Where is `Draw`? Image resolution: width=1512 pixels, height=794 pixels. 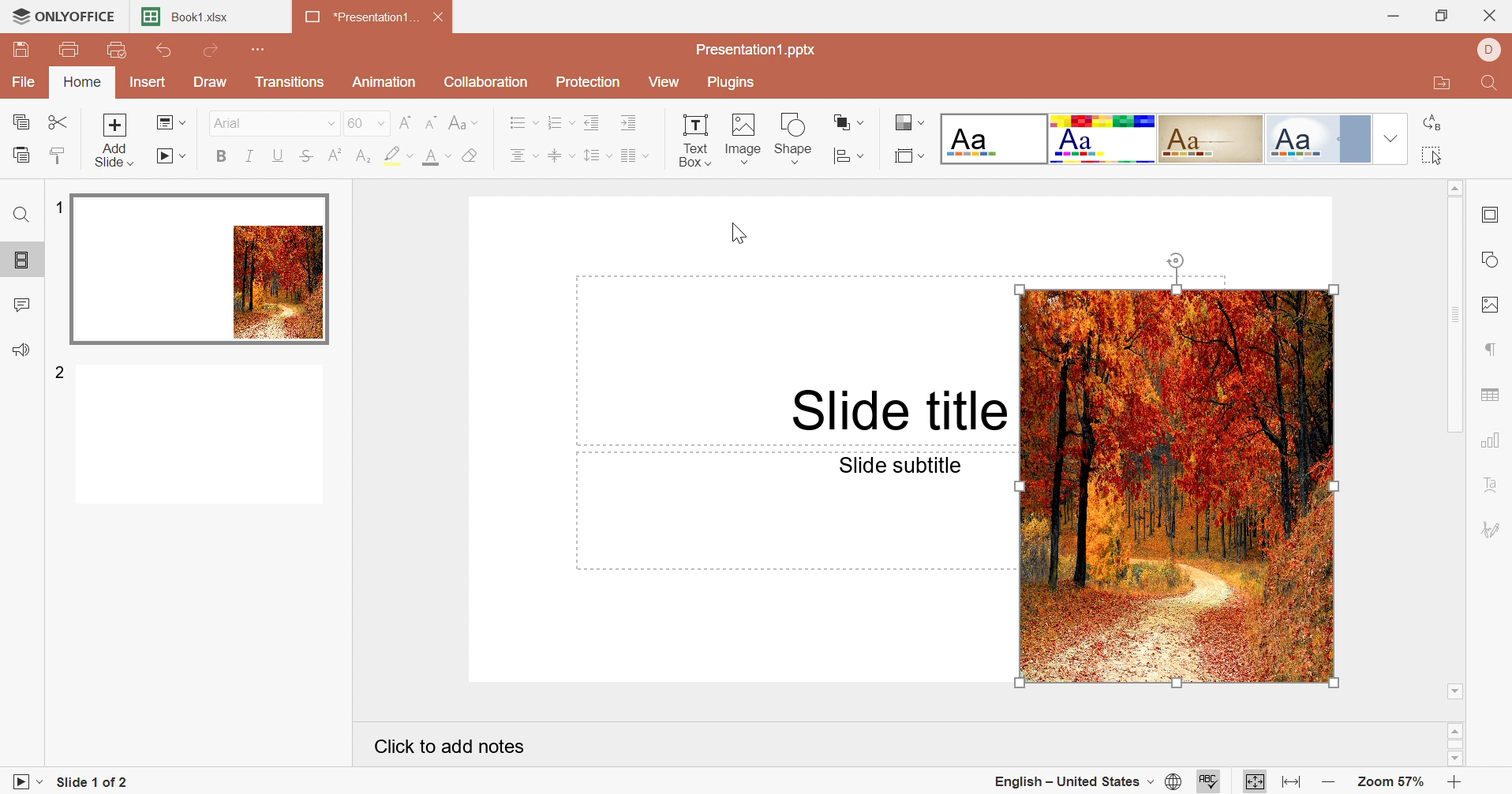
Draw is located at coordinates (211, 81).